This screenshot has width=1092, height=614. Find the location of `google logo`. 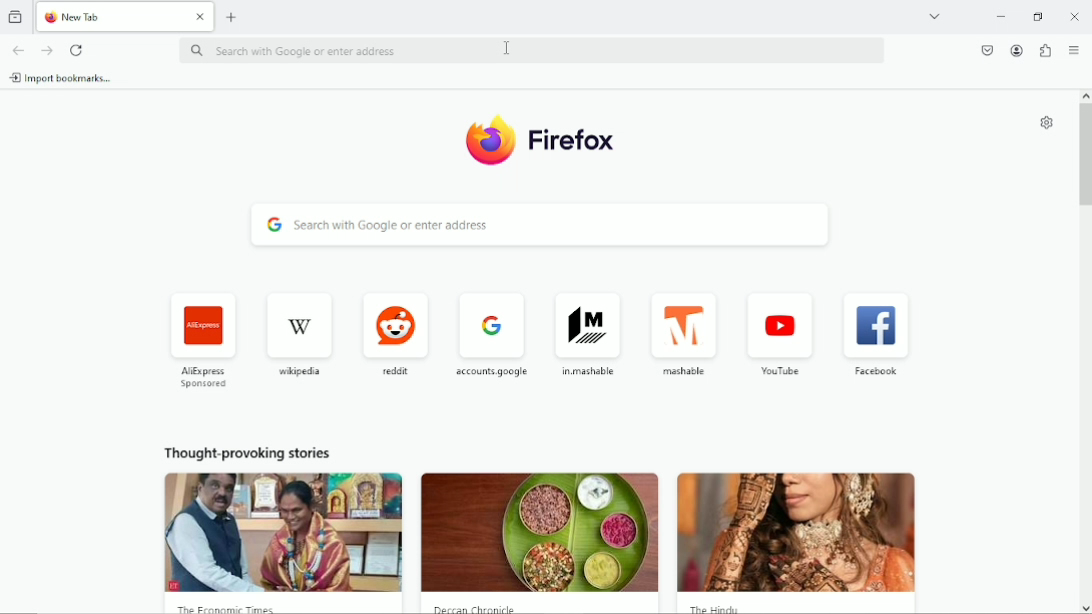

google logo is located at coordinates (273, 225).